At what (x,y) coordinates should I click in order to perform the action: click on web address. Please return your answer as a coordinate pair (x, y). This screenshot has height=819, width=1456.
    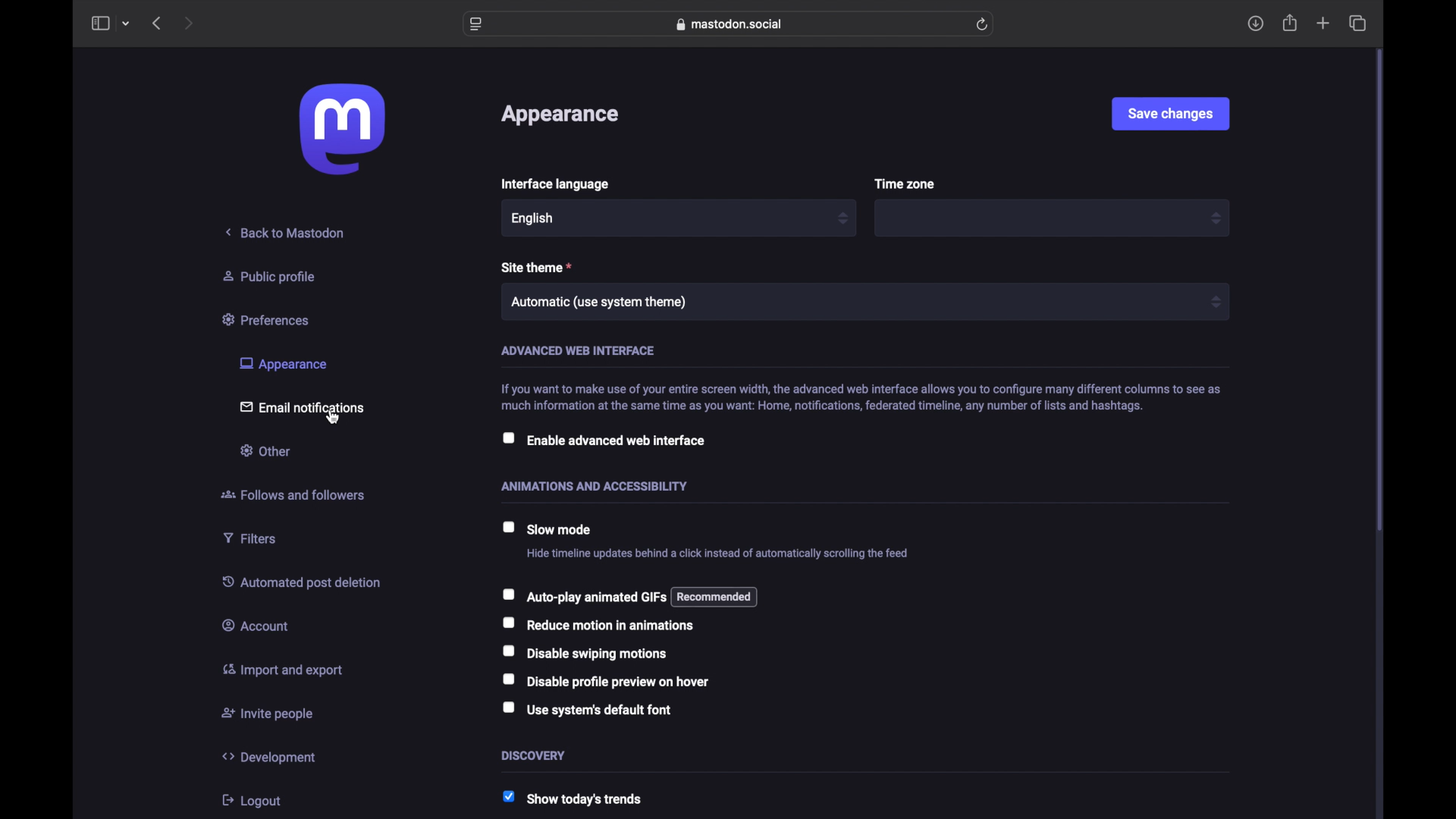
    Looking at the image, I should click on (730, 24).